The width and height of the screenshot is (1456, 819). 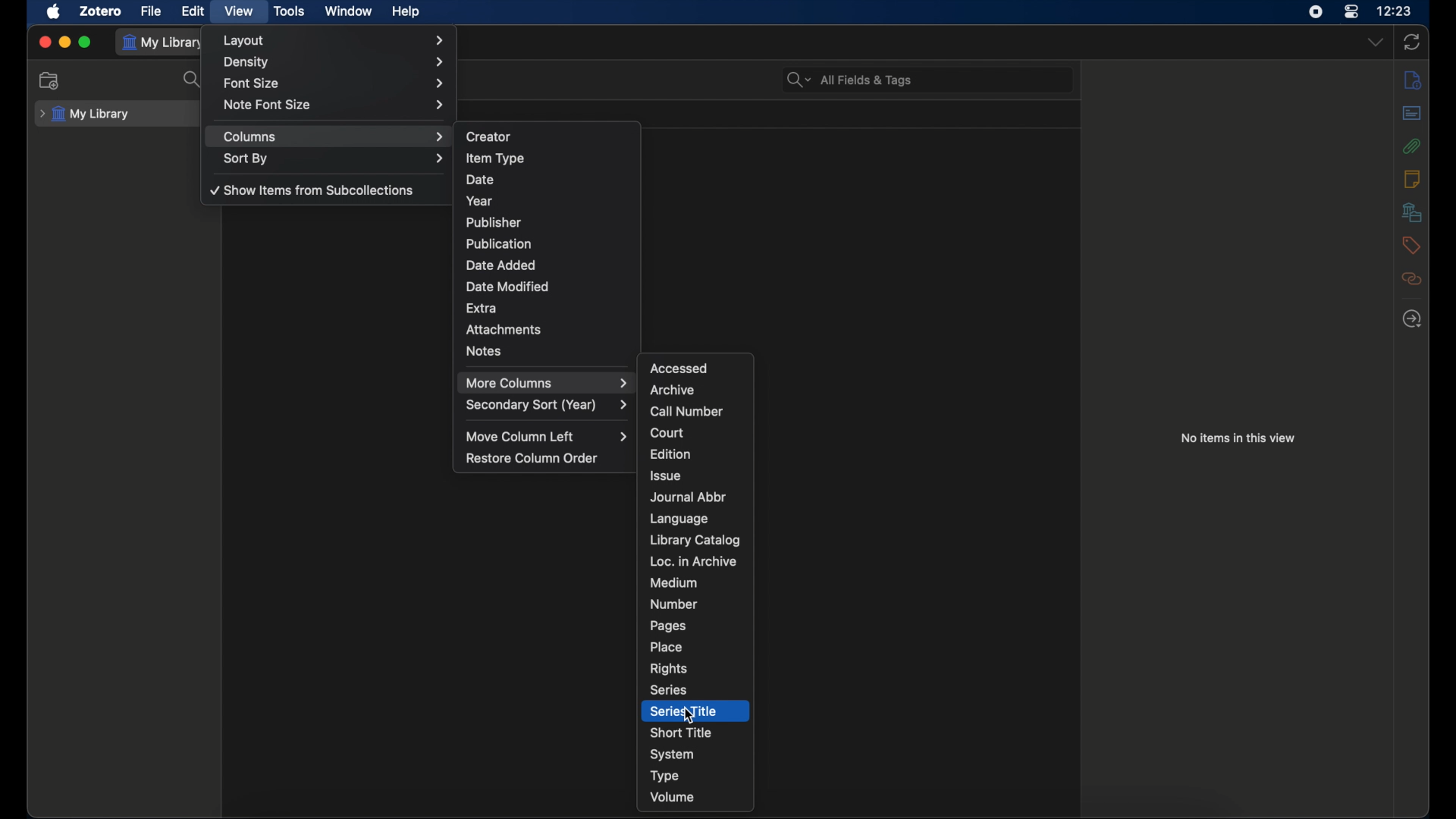 I want to click on dropdown, so click(x=1376, y=42).